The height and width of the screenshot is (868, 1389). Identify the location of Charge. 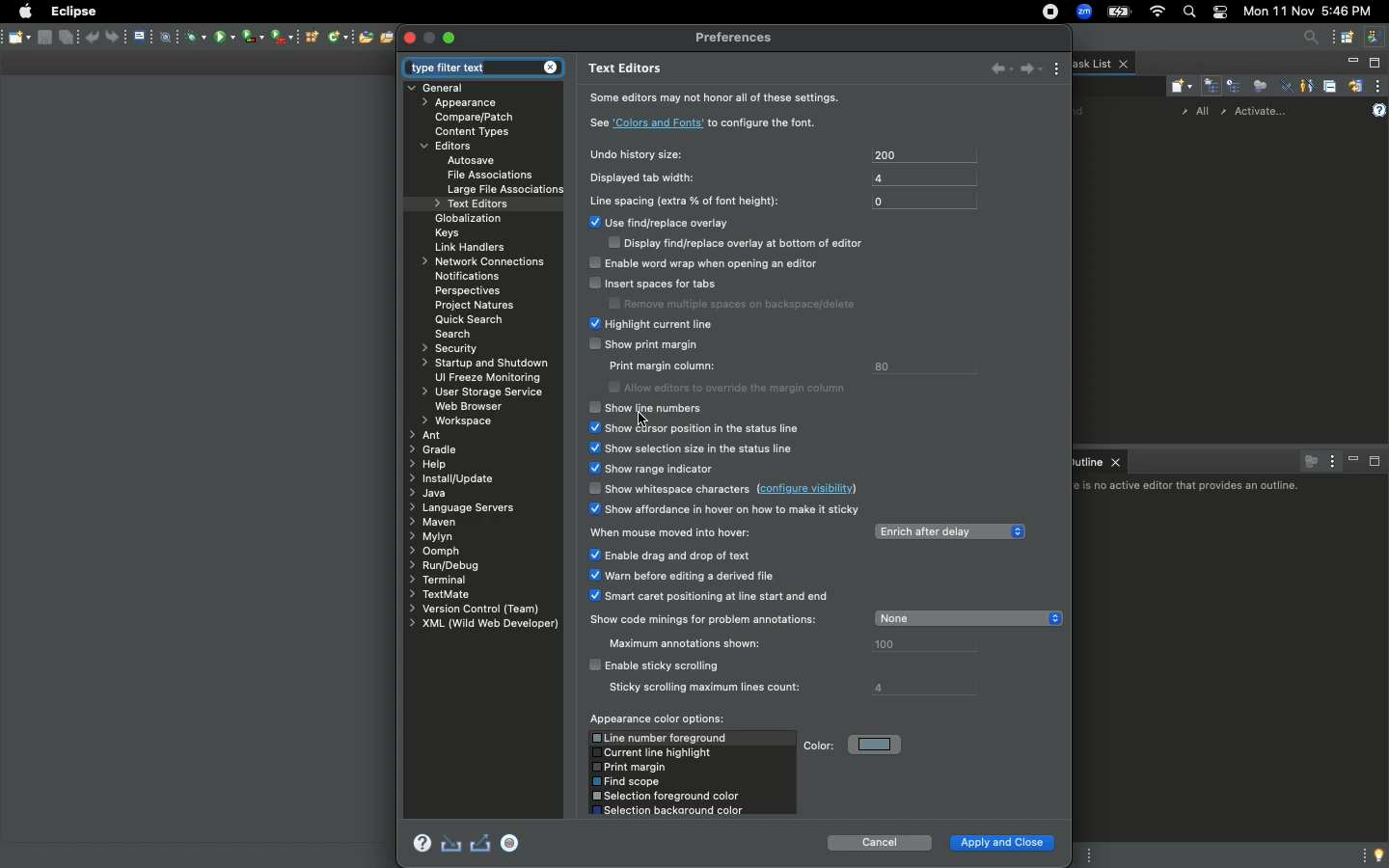
(1119, 12).